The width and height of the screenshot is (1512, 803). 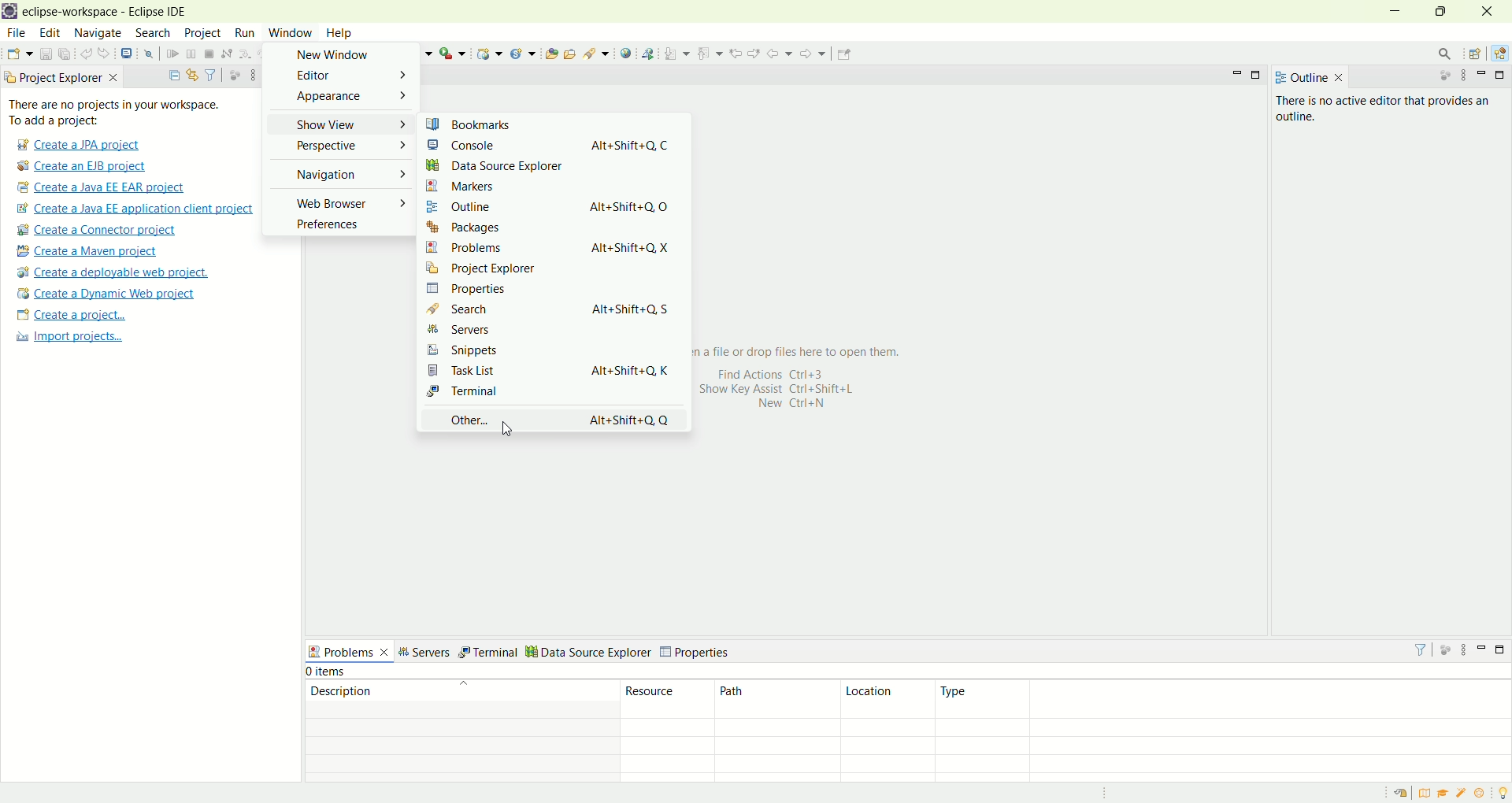 What do you see at coordinates (69, 316) in the screenshot?
I see `create a project` at bounding box center [69, 316].